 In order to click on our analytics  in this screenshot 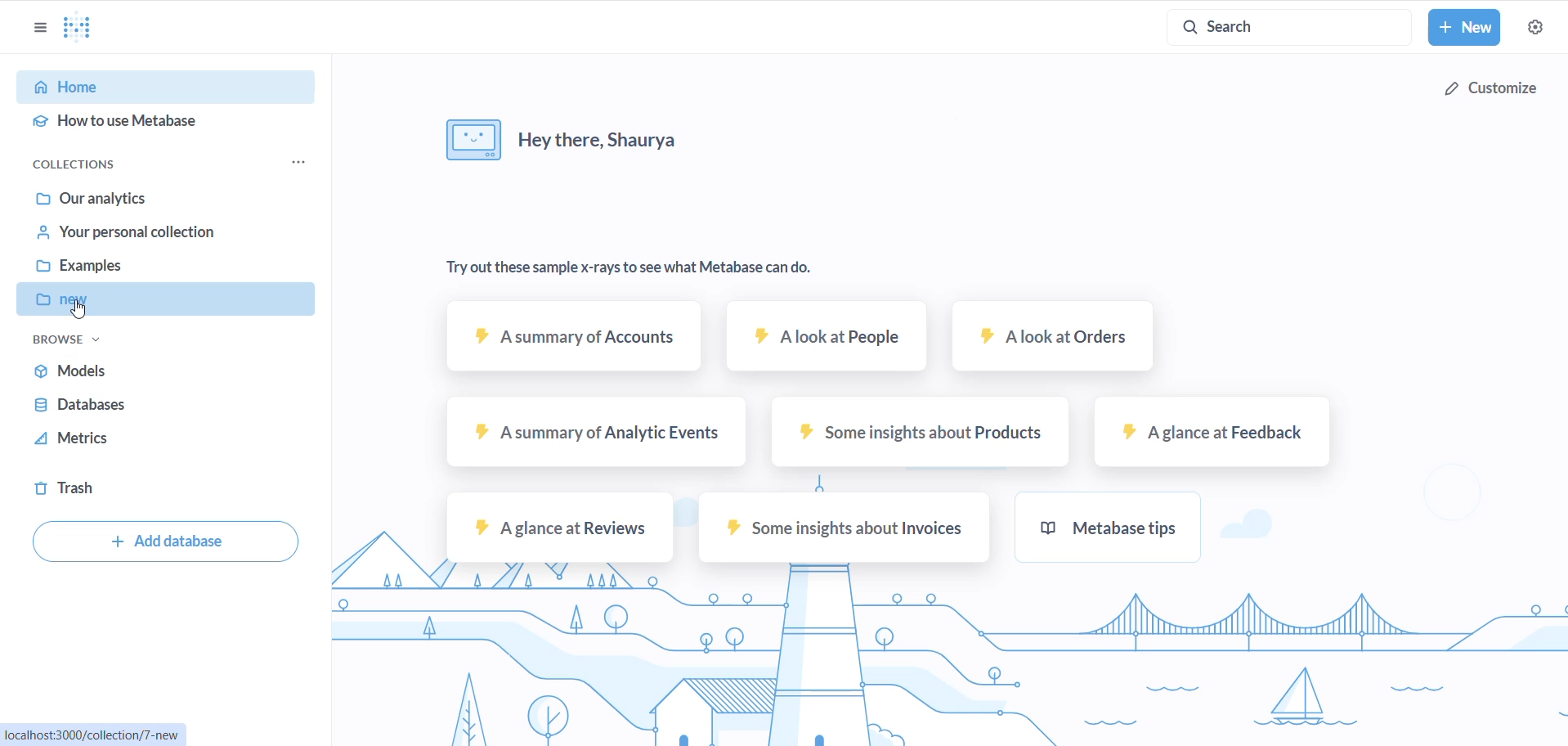, I will do `click(154, 197)`.